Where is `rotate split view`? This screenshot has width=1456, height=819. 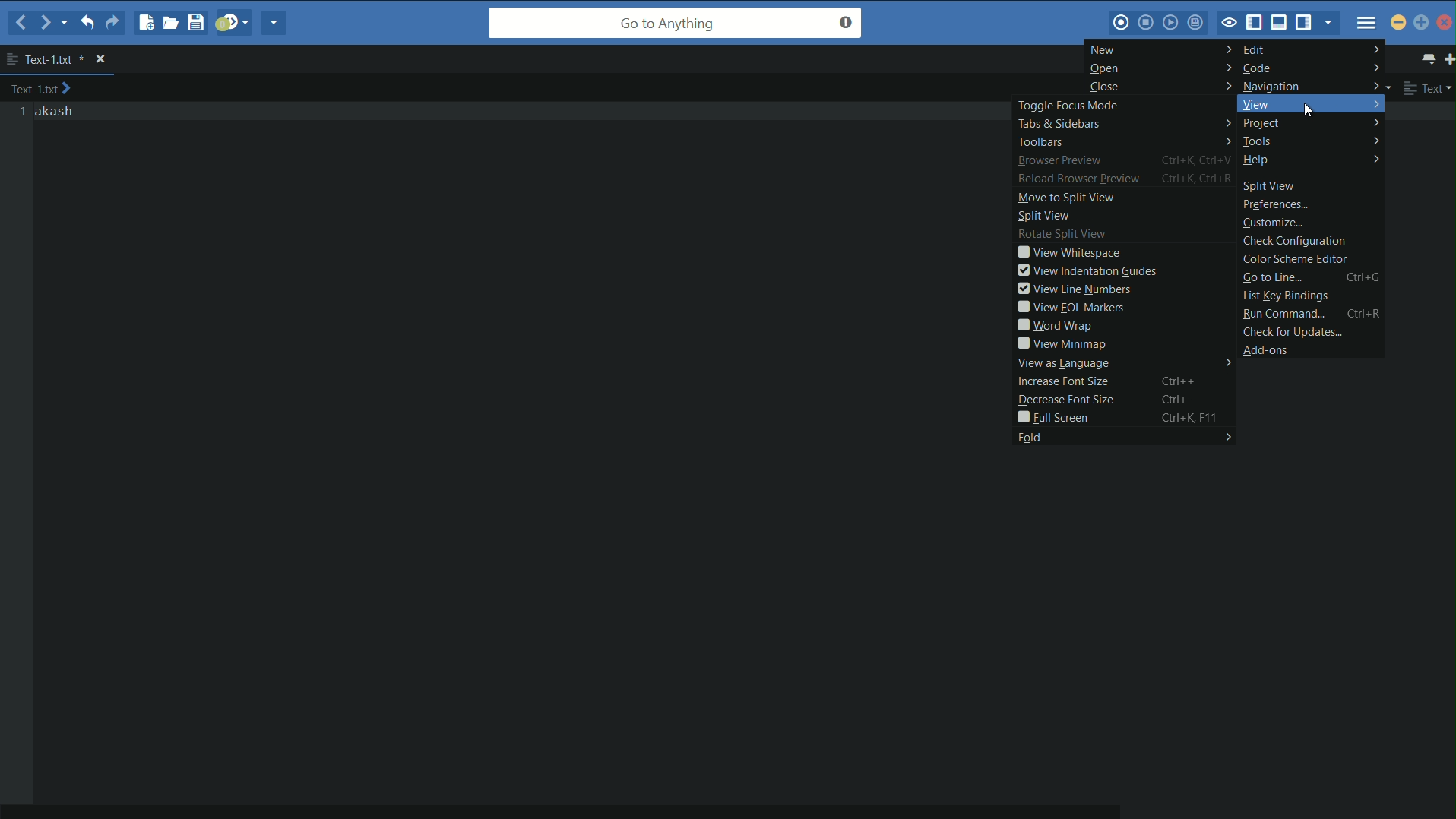 rotate split view is located at coordinates (1125, 235).